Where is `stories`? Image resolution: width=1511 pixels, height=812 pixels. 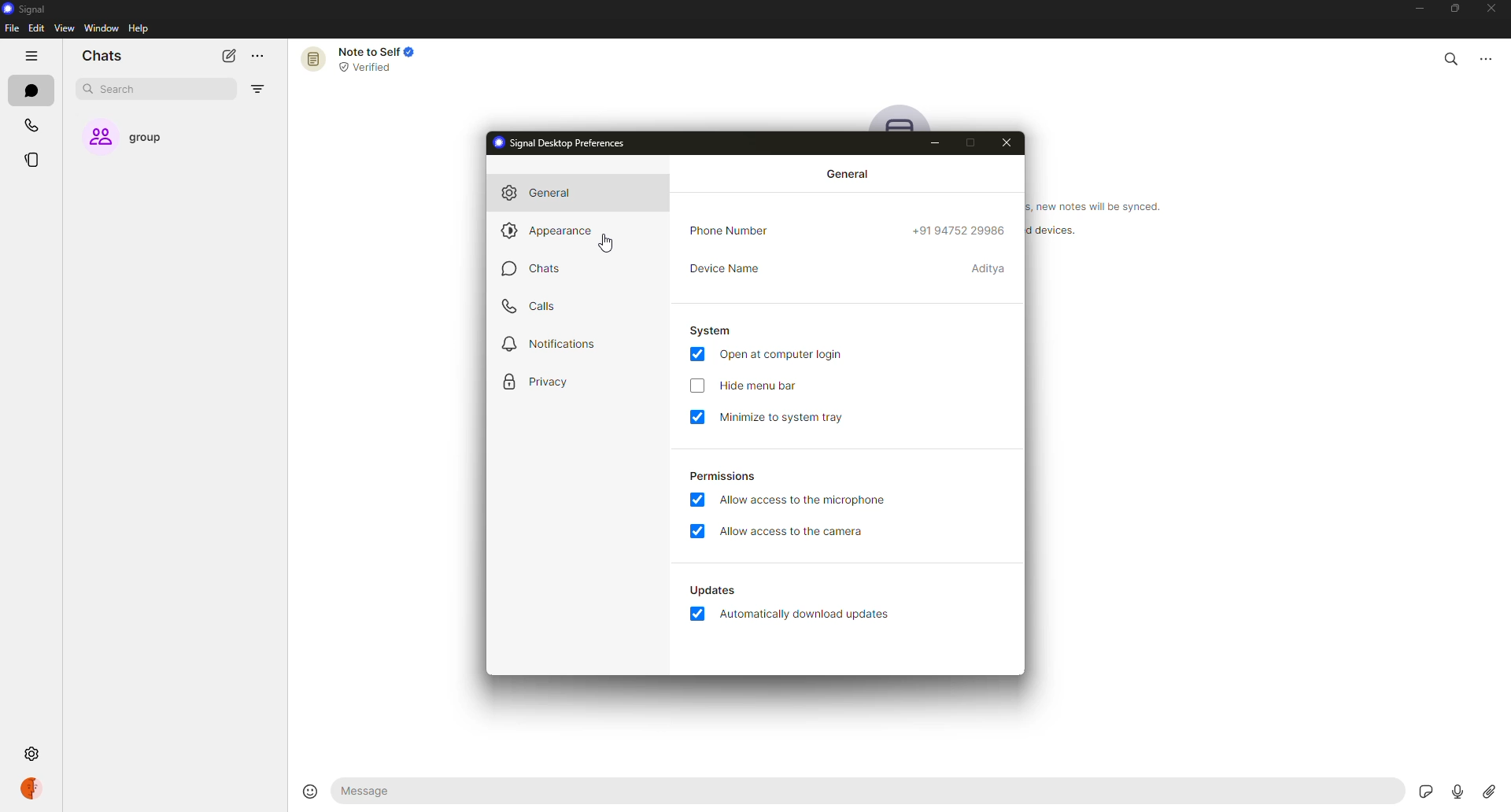 stories is located at coordinates (36, 160).